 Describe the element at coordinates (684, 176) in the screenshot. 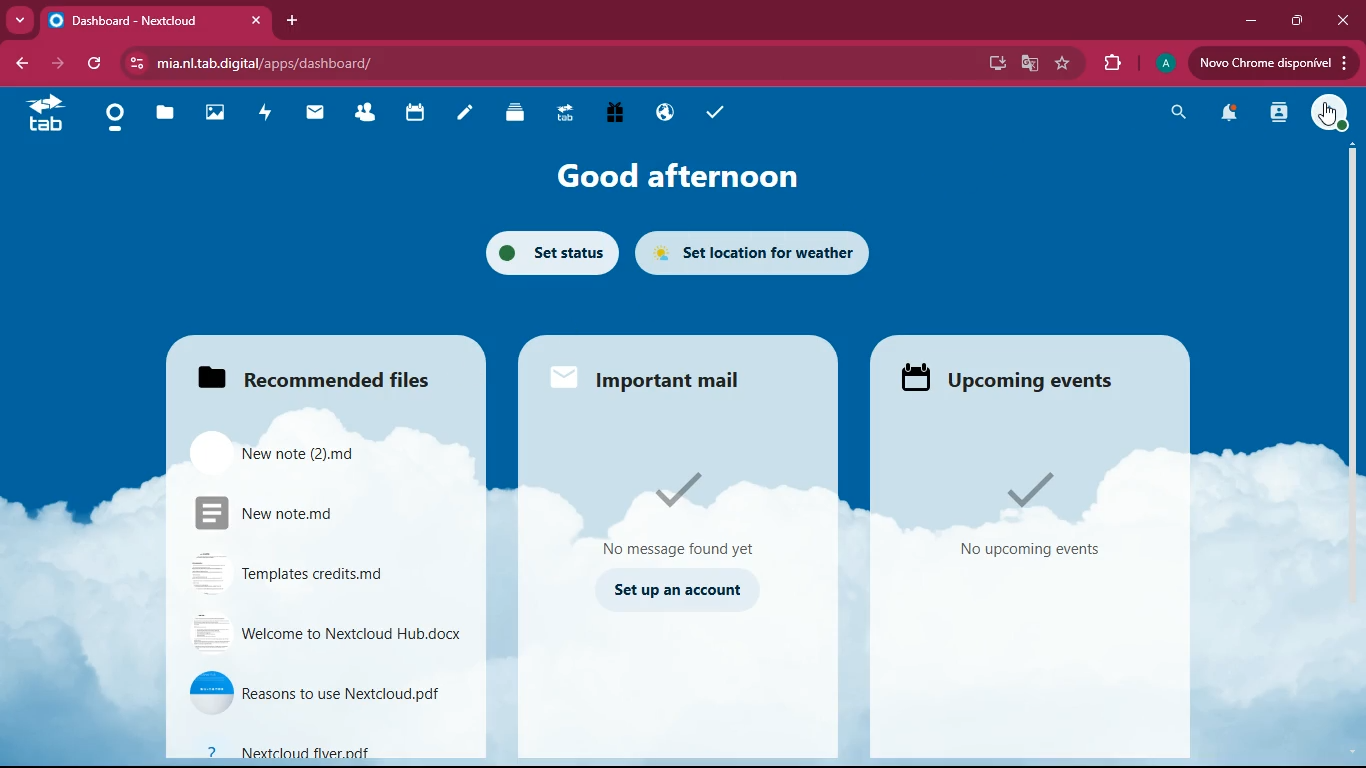

I see `good afternoon` at that location.